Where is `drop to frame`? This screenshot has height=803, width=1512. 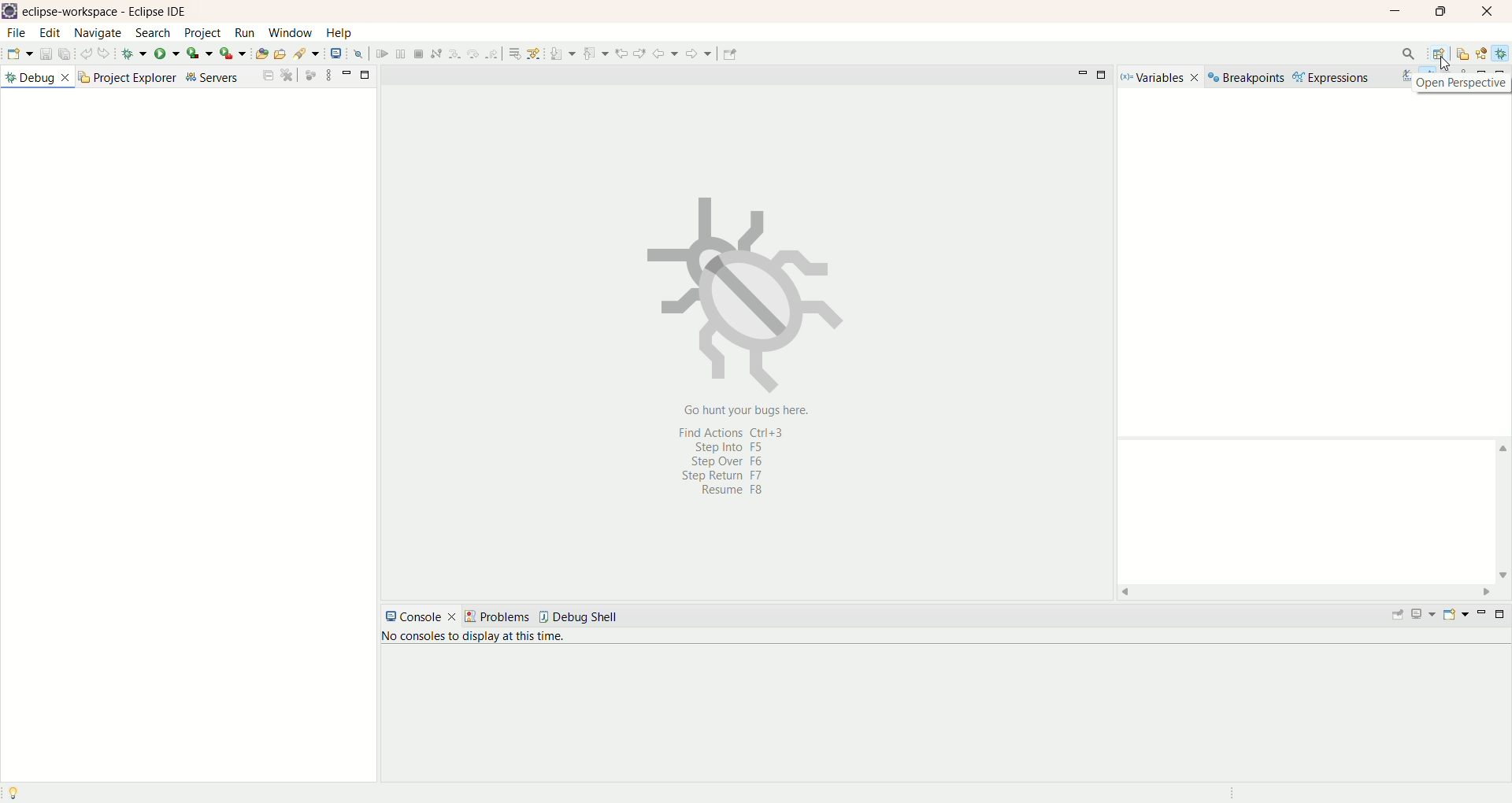 drop to frame is located at coordinates (627, 55).